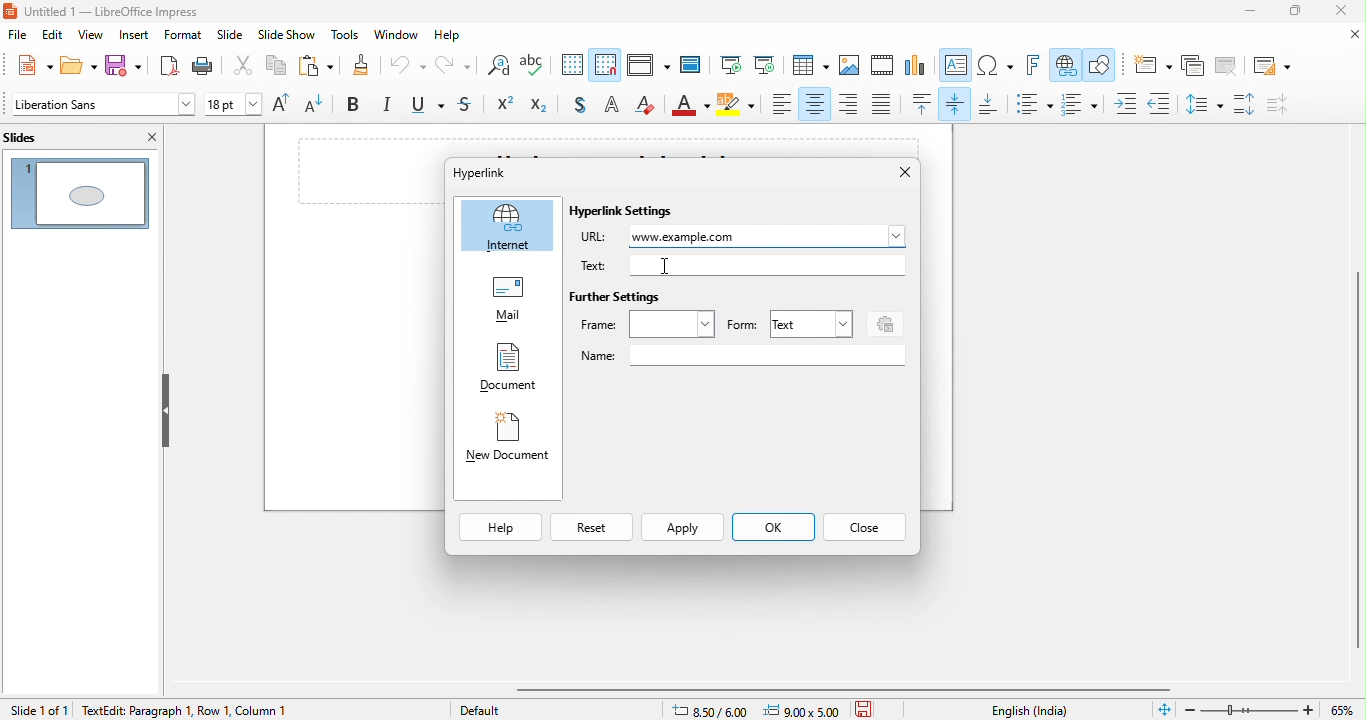 The height and width of the screenshot is (720, 1366). What do you see at coordinates (730, 66) in the screenshot?
I see `start from first slide` at bounding box center [730, 66].